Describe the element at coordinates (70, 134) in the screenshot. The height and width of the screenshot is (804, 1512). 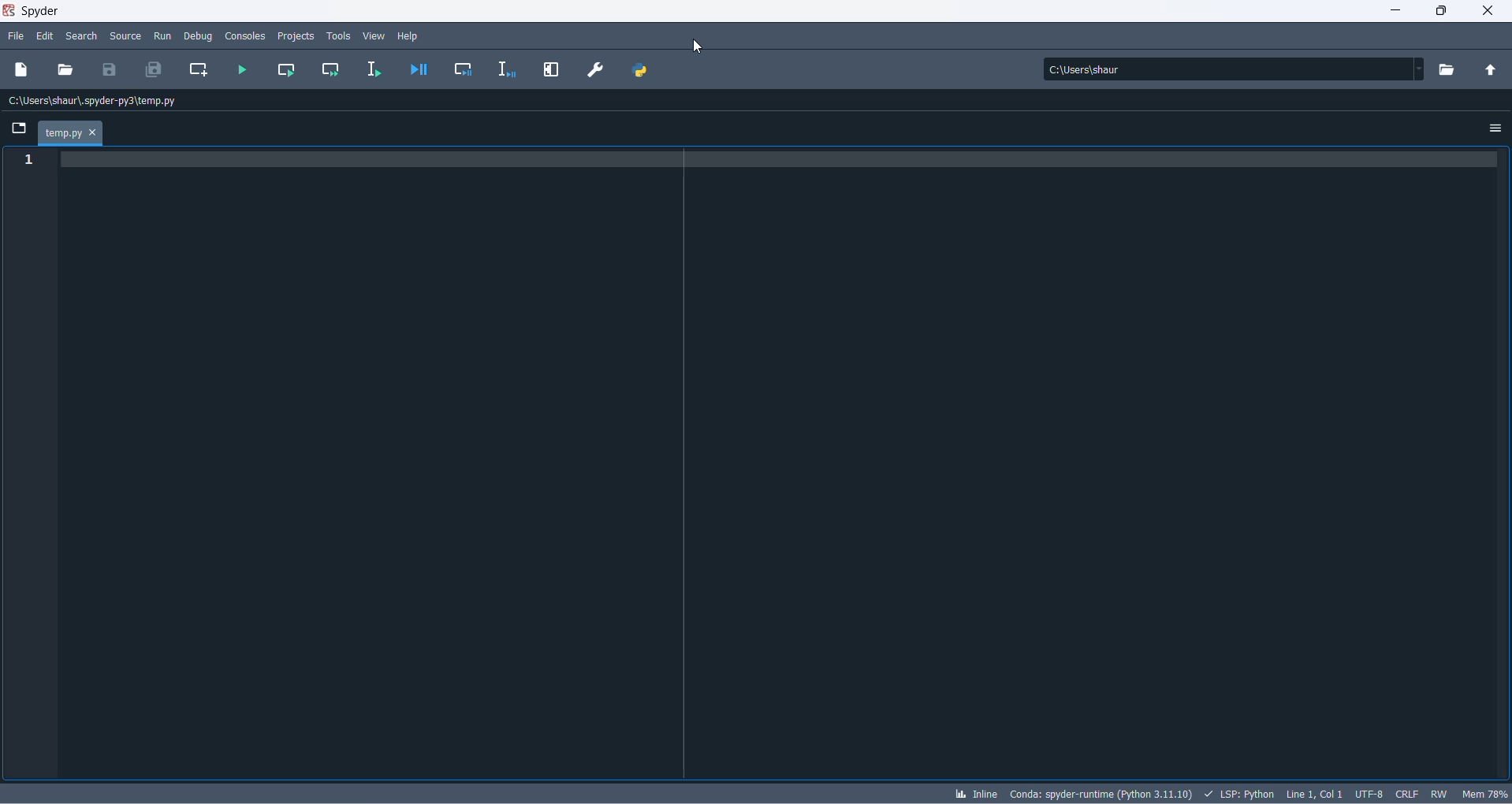
I see `current file tab` at that location.